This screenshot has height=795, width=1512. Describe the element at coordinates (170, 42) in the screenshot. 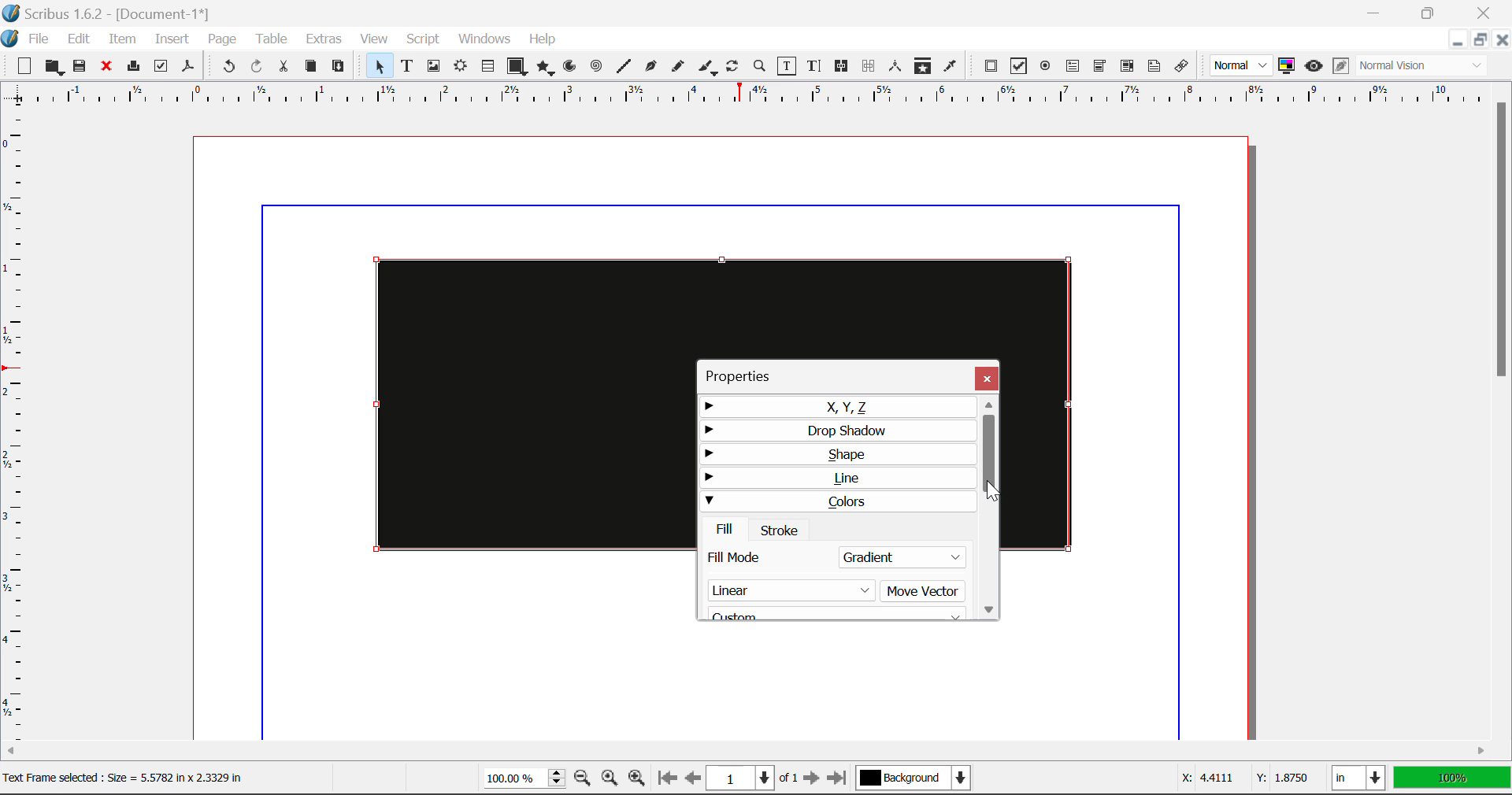

I see `Insert` at that location.